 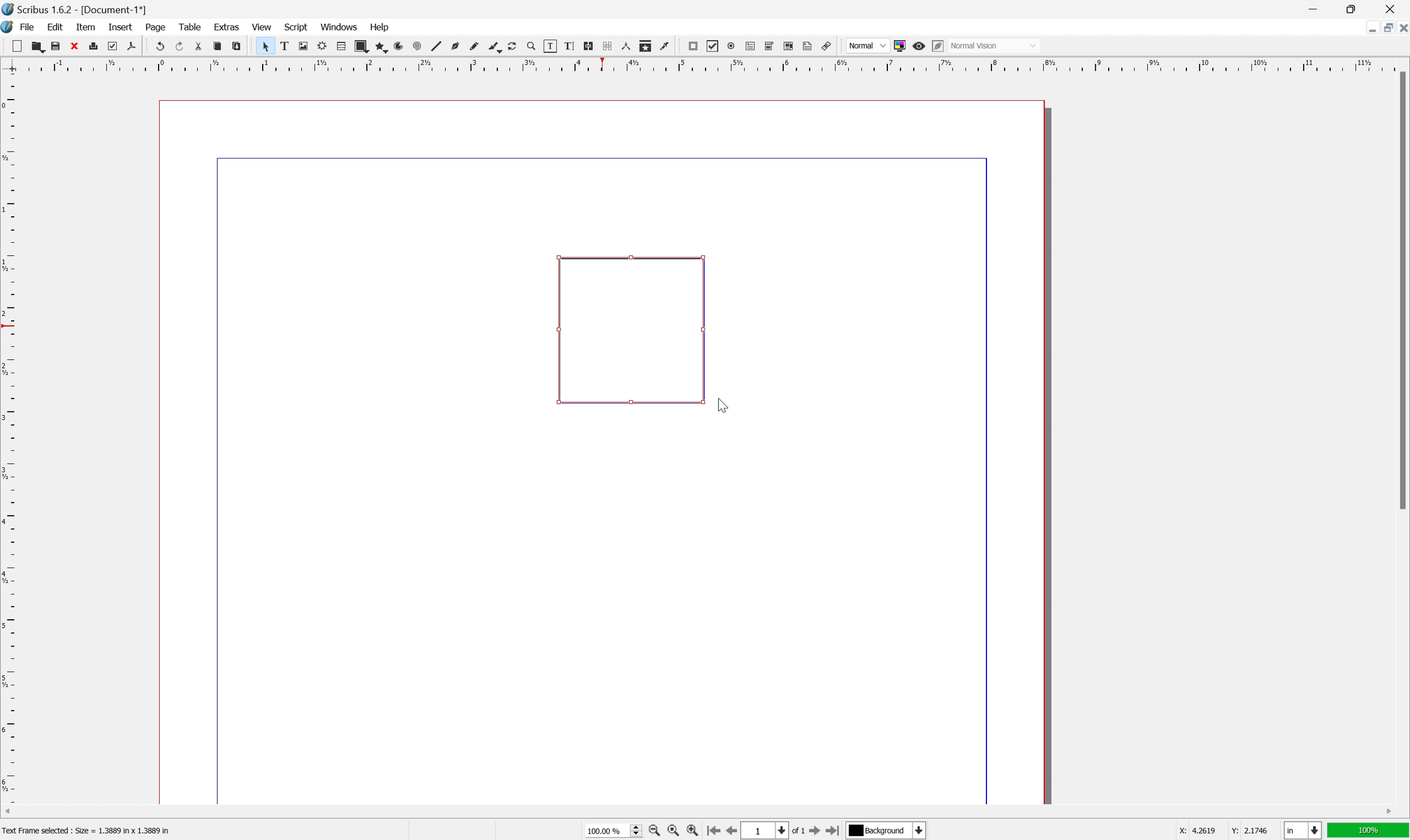 I want to click on pdf combo box, so click(x=770, y=46).